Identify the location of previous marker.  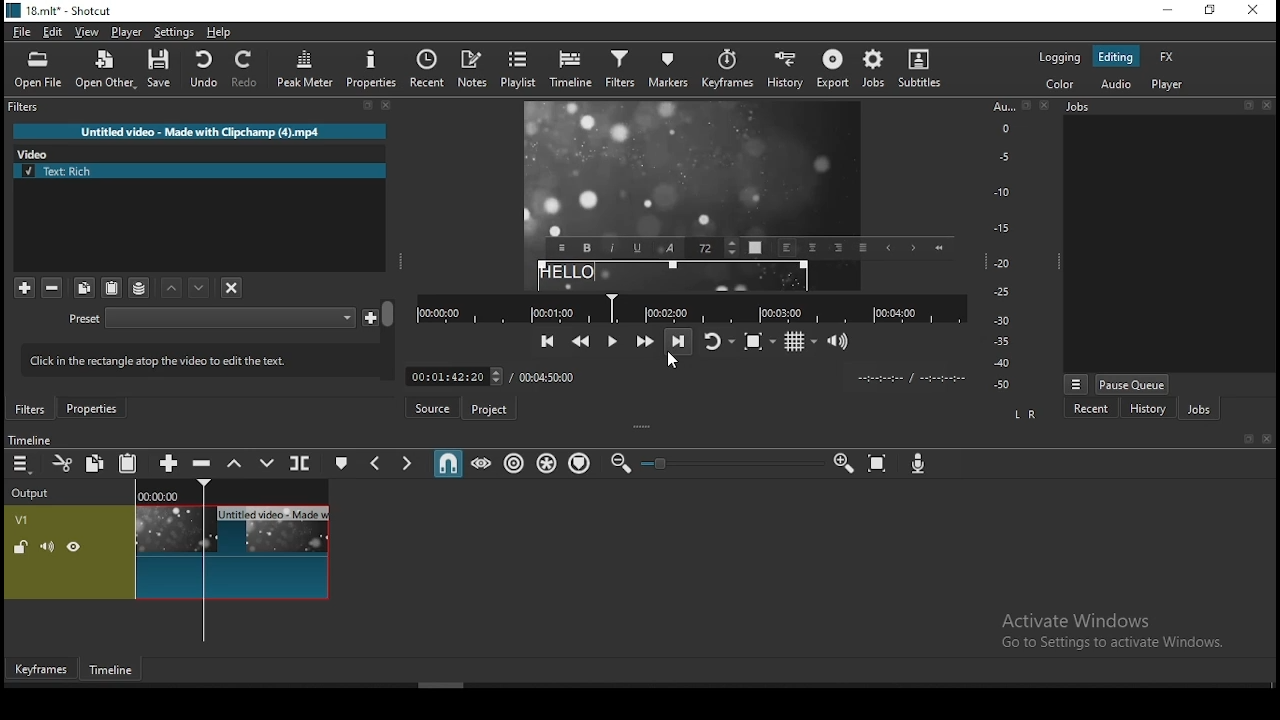
(378, 461).